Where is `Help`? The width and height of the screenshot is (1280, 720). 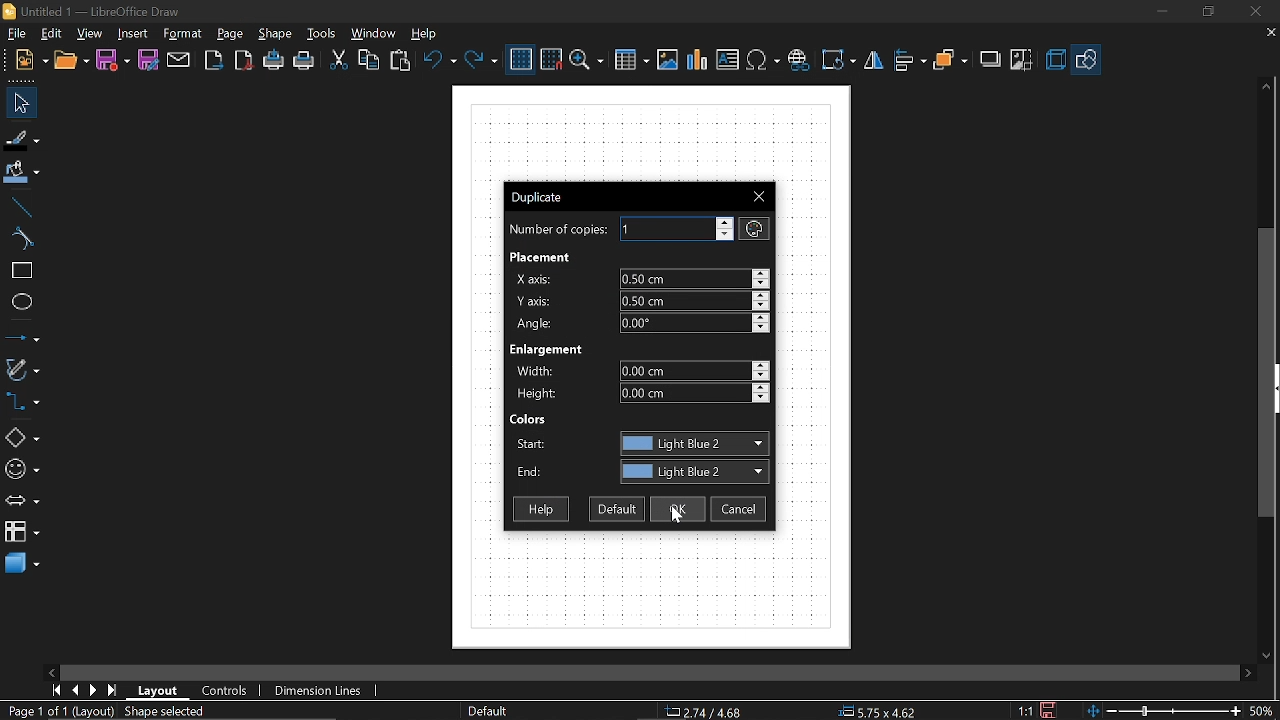 Help is located at coordinates (538, 510).